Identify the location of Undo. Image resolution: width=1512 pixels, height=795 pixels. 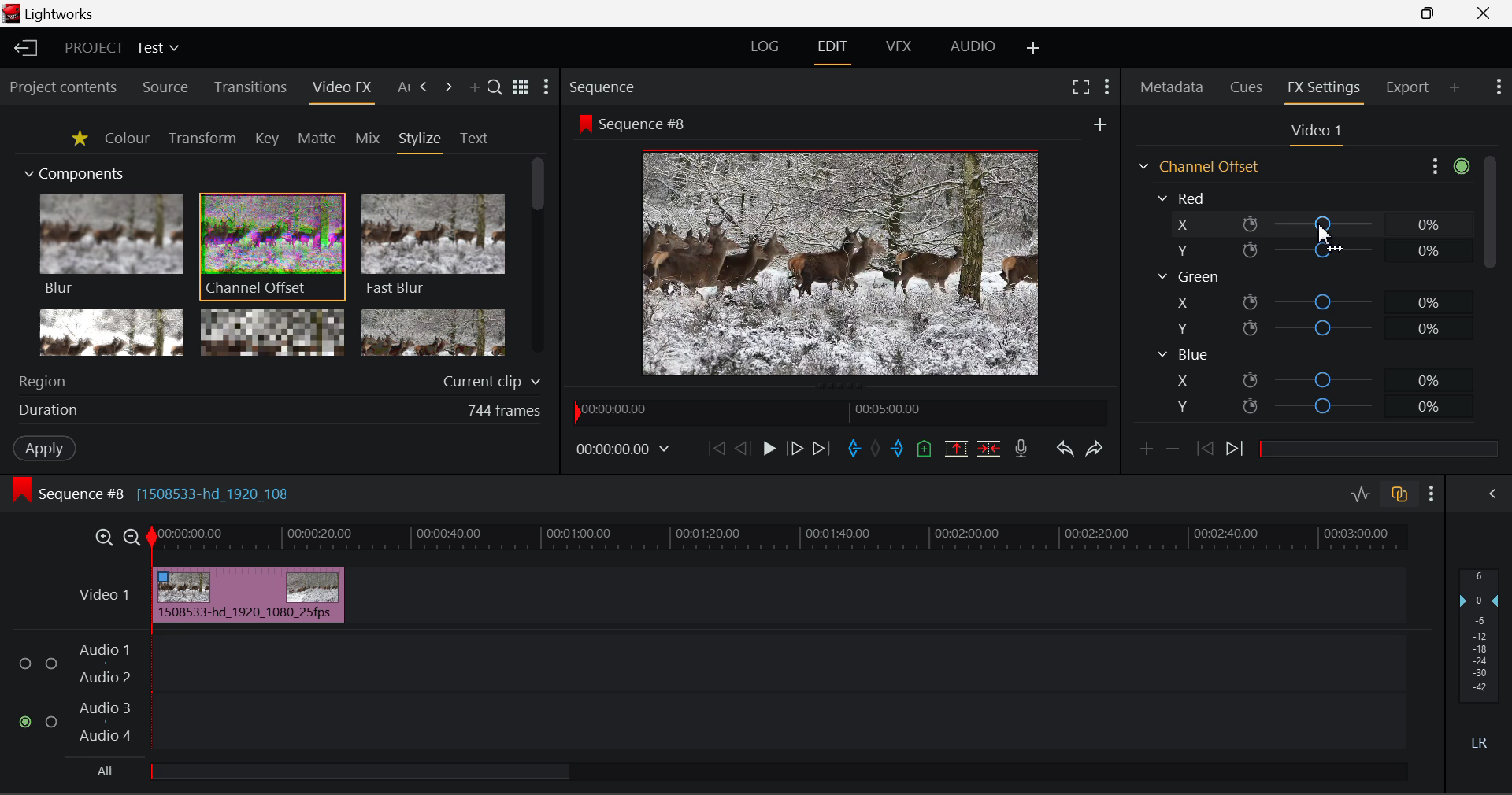
(1067, 451).